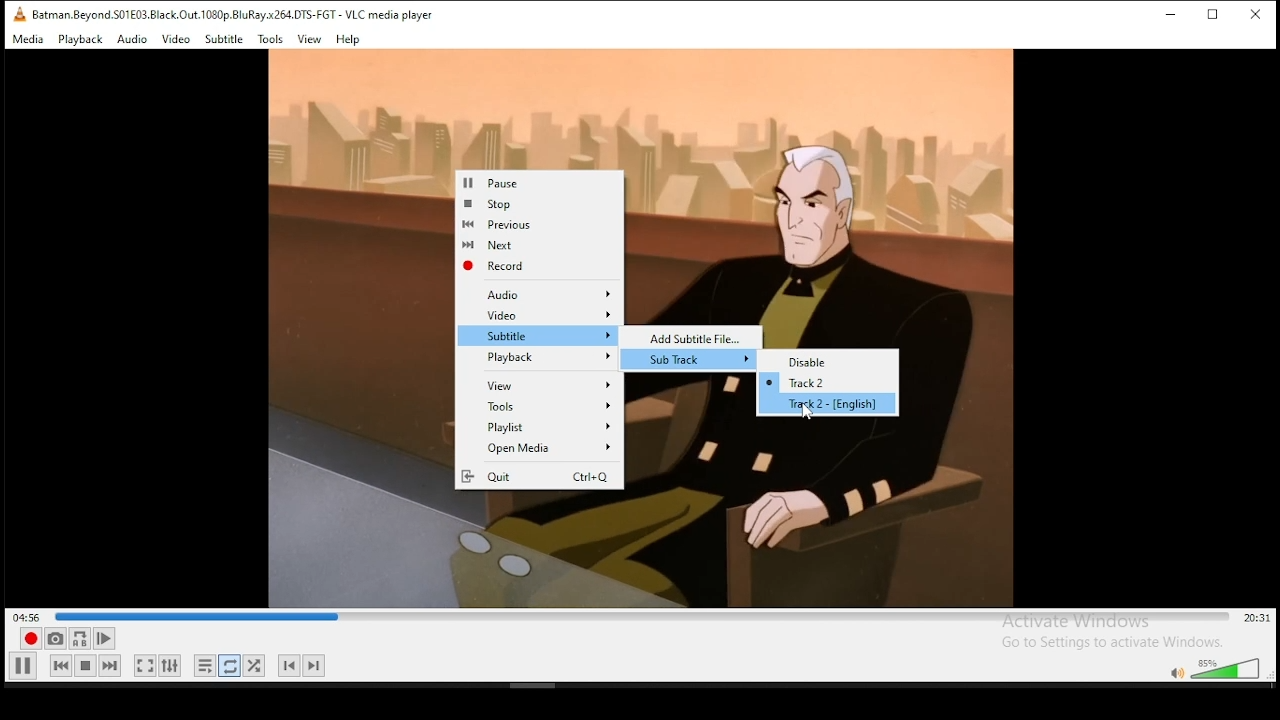 The image size is (1280, 720). I want to click on Track 2, so click(825, 383).